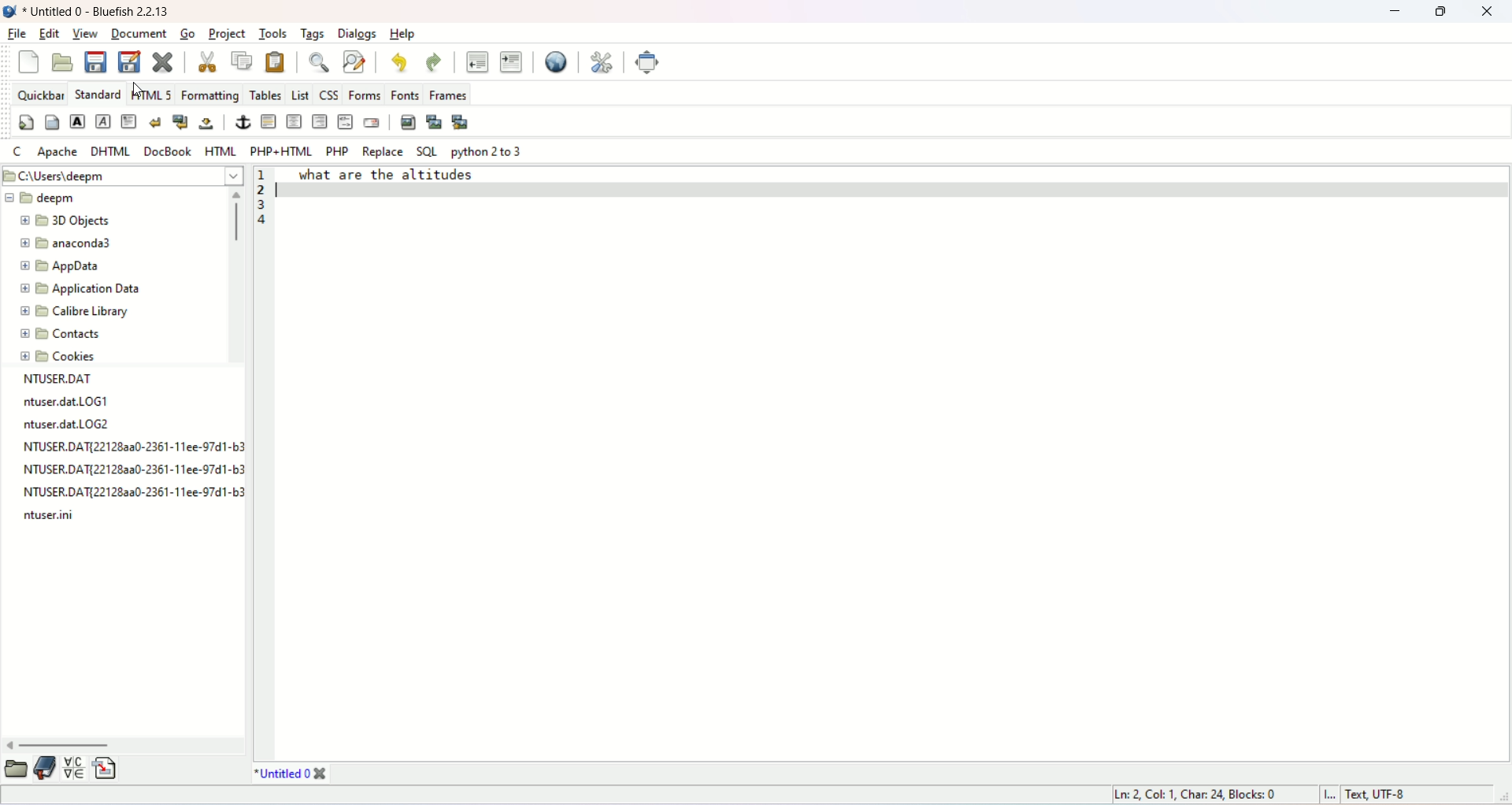 The height and width of the screenshot is (805, 1512). What do you see at coordinates (346, 121) in the screenshot?
I see `HTML comment` at bounding box center [346, 121].